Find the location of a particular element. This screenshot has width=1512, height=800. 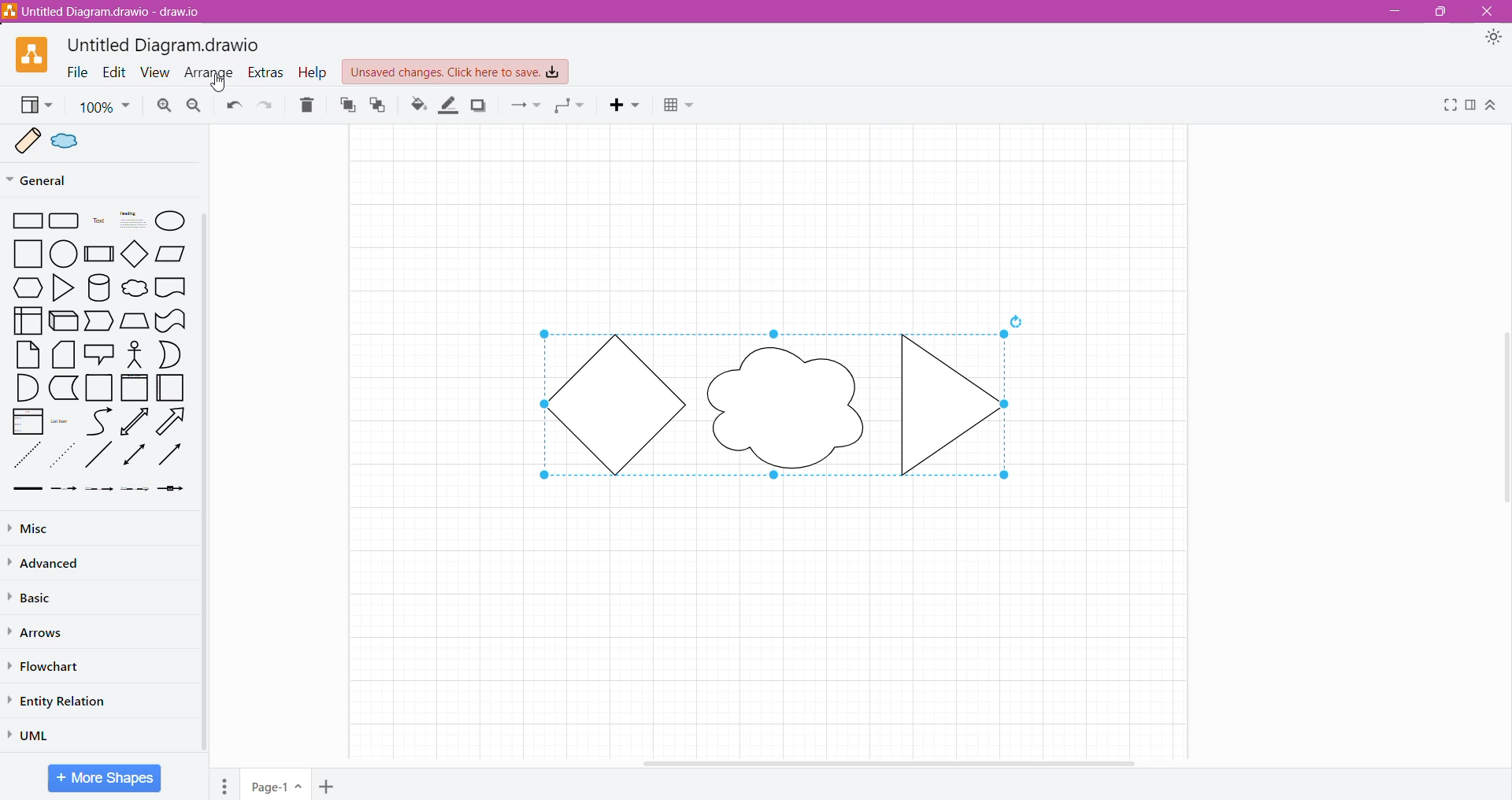

Shapes is located at coordinates (95, 355).